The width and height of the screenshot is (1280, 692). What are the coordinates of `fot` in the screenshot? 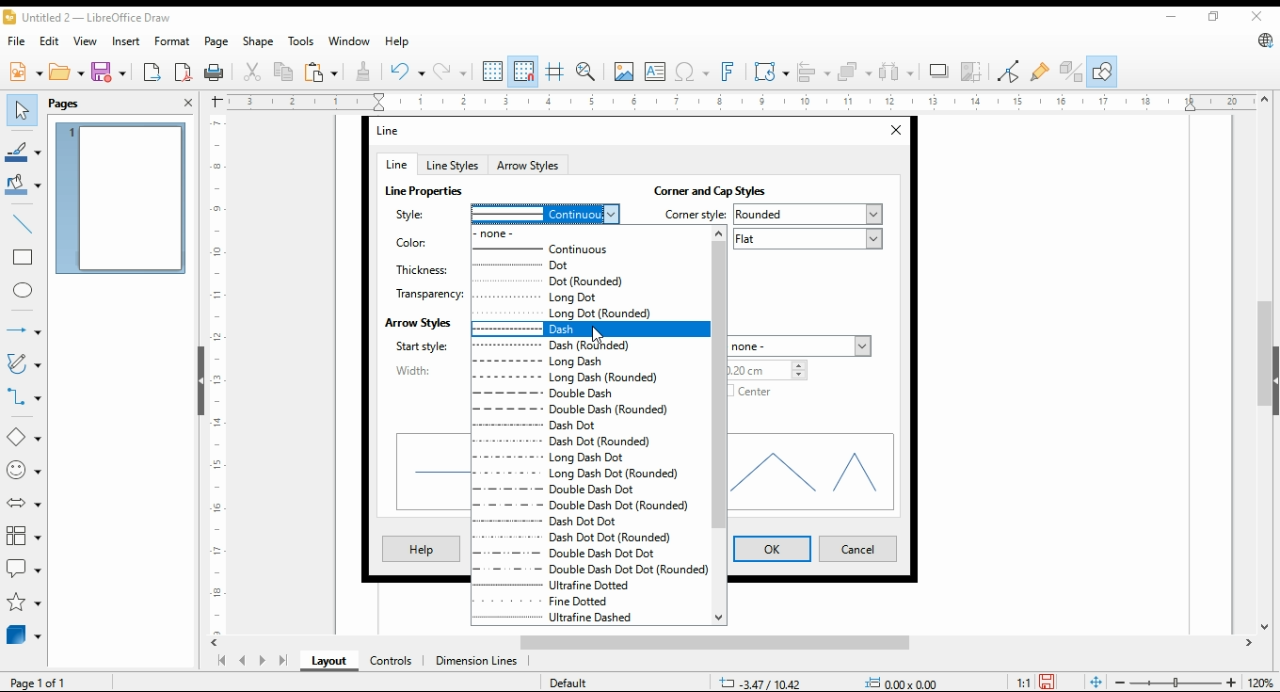 It's located at (589, 264).